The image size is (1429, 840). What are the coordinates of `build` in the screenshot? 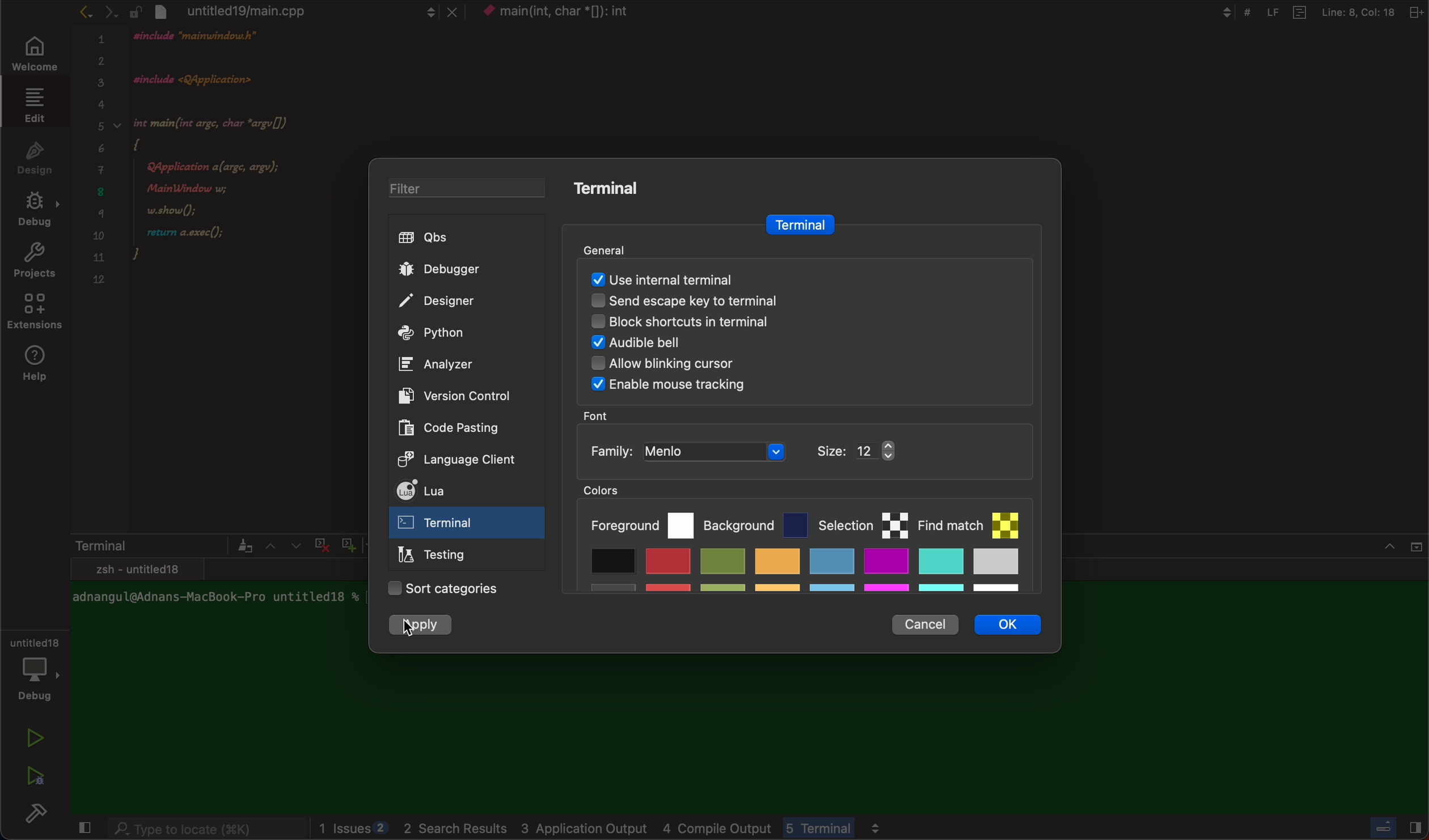 It's located at (40, 816).